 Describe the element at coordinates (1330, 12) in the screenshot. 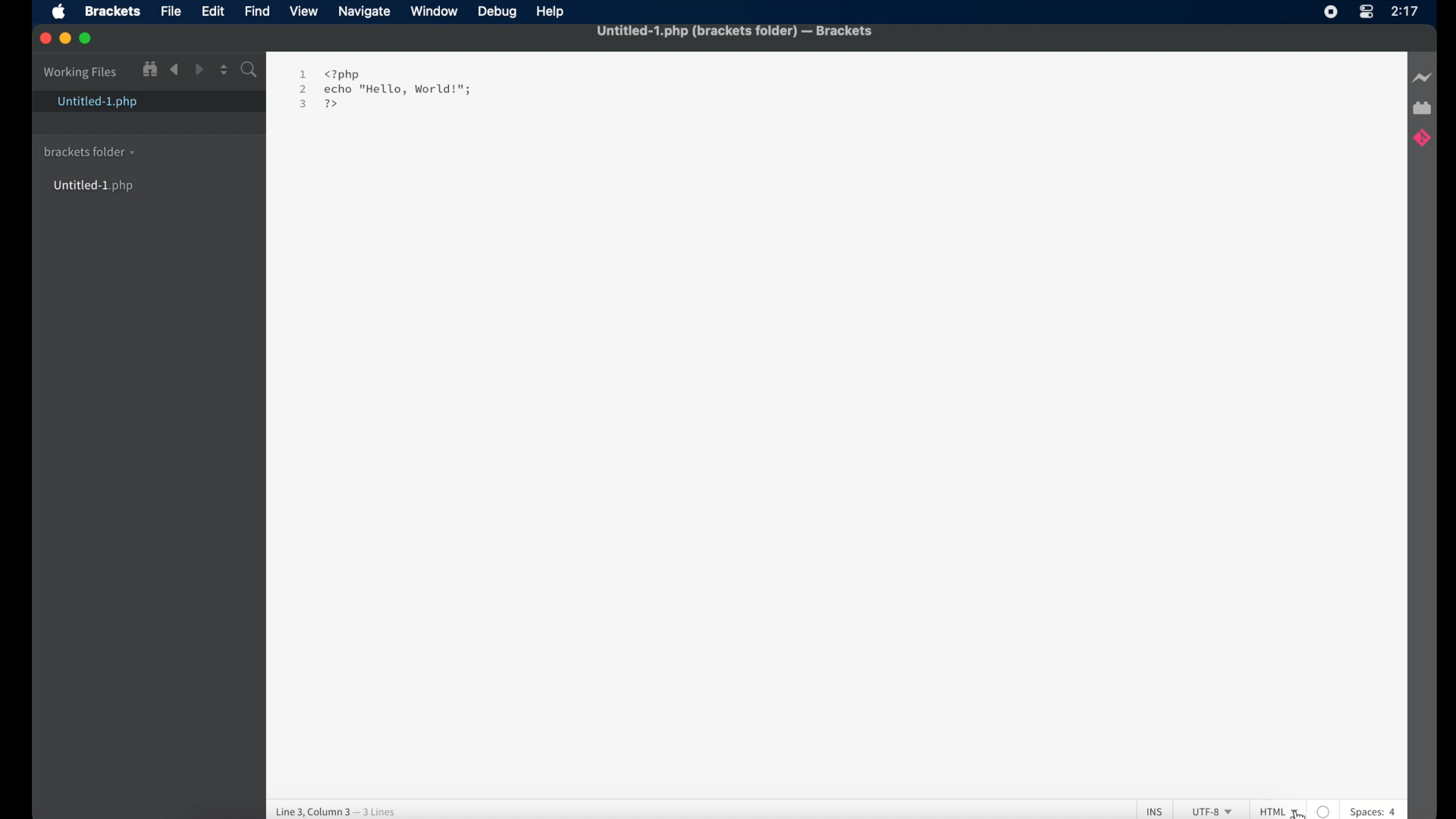

I see `screen recorder` at that location.